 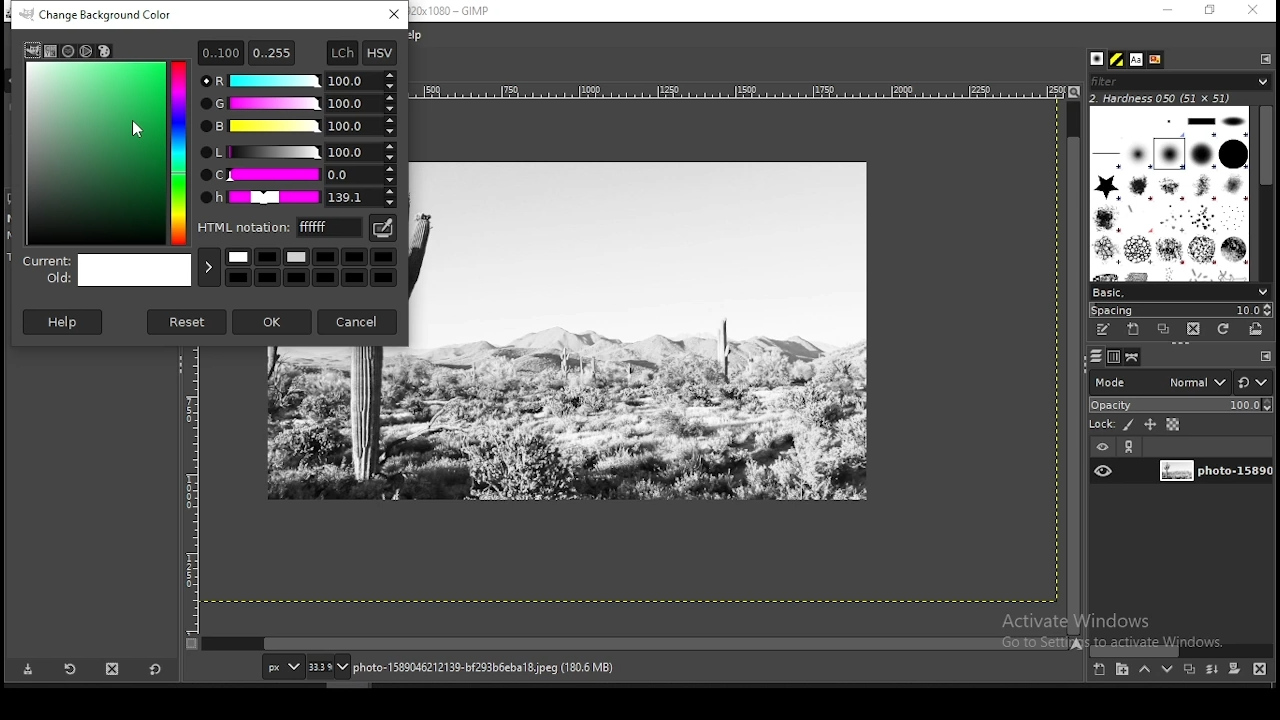 I want to click on red, so click(x=298, y=81).